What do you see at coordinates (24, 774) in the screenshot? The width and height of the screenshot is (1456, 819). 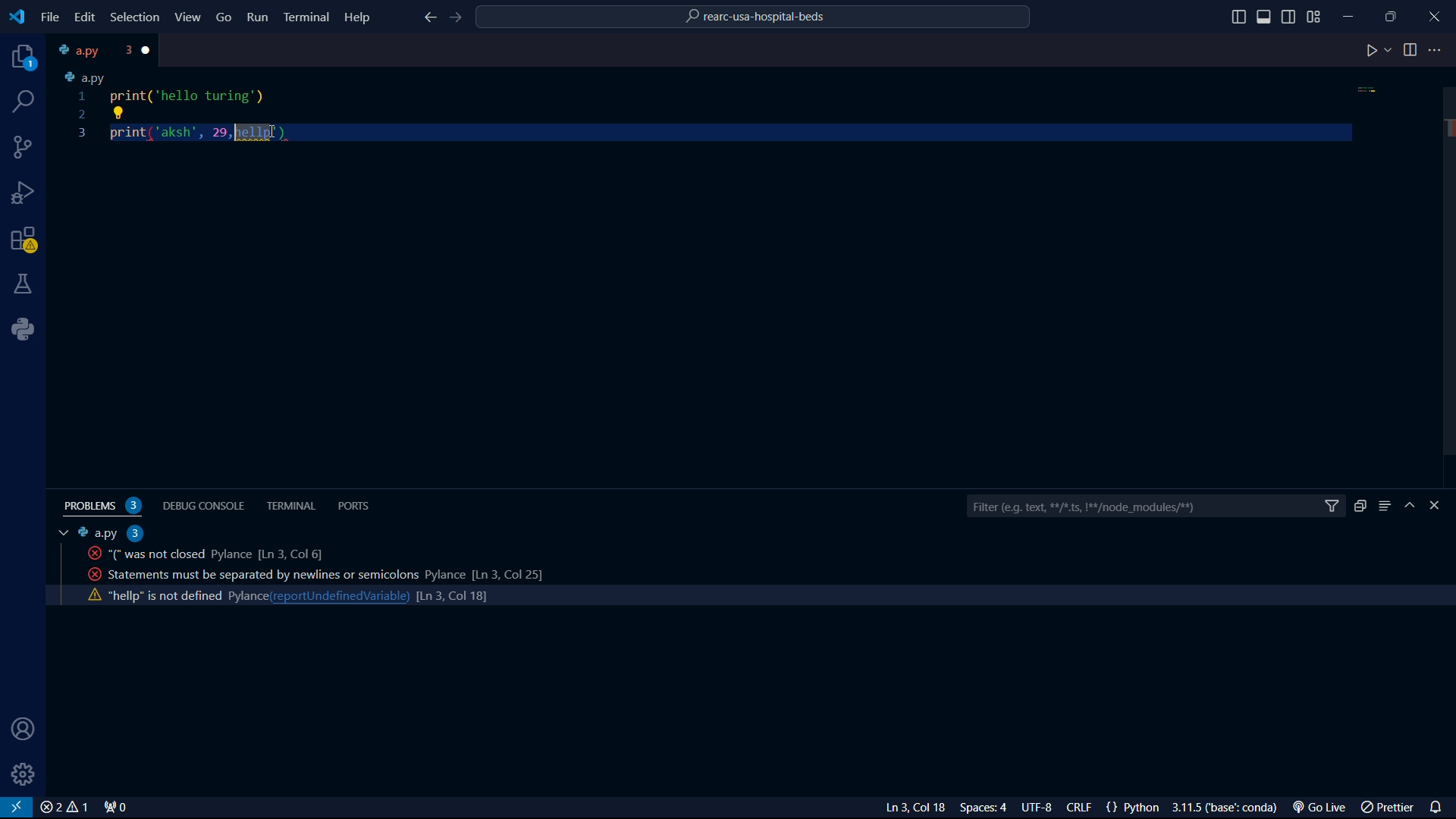 I see `settings` at bounding box center [24, 774].